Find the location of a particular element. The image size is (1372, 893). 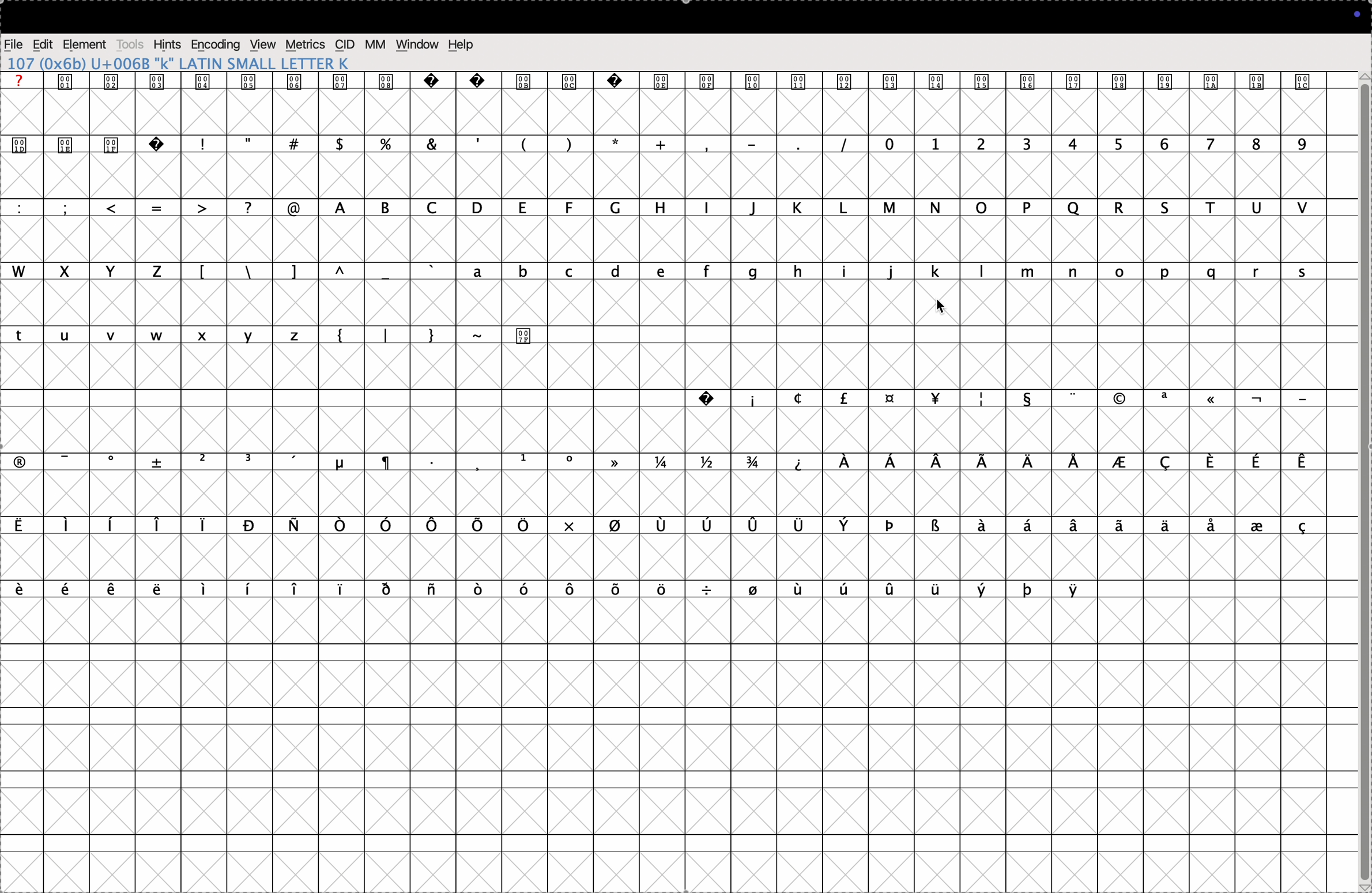

9 is located at coordinates (1302, 145).